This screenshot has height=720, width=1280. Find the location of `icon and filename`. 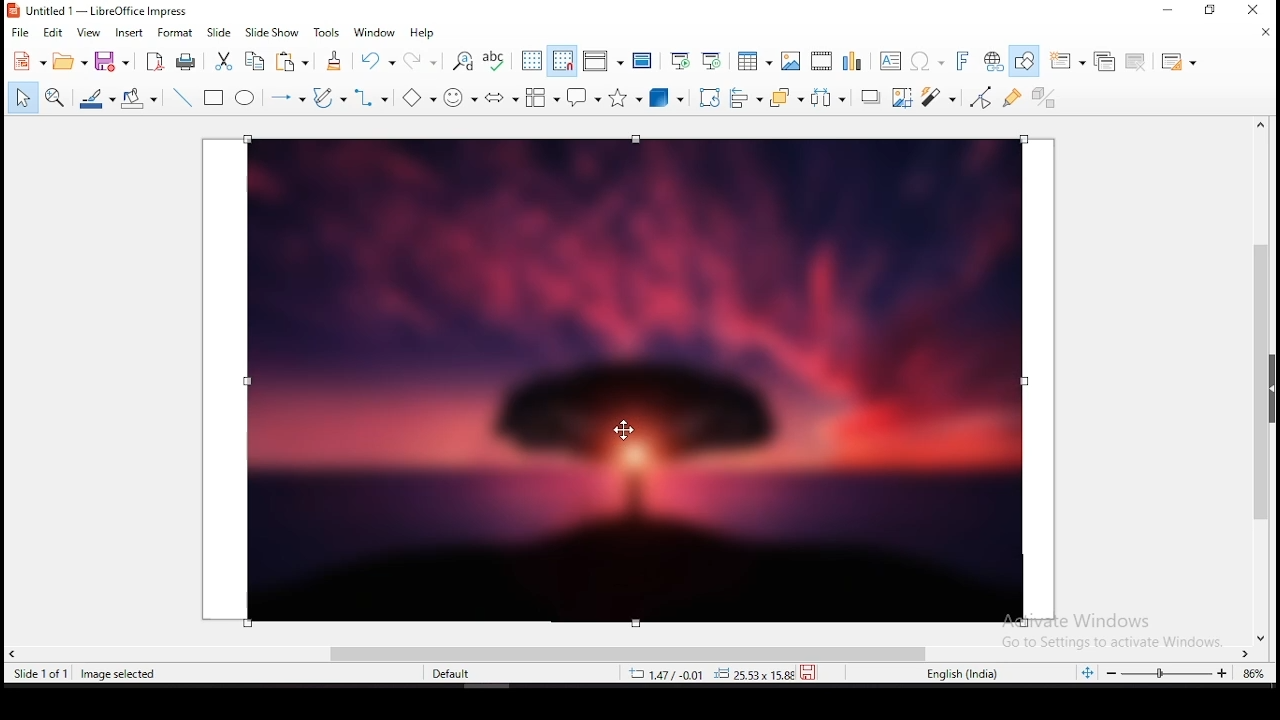

icon and filename is located at coordinates (100, 11).